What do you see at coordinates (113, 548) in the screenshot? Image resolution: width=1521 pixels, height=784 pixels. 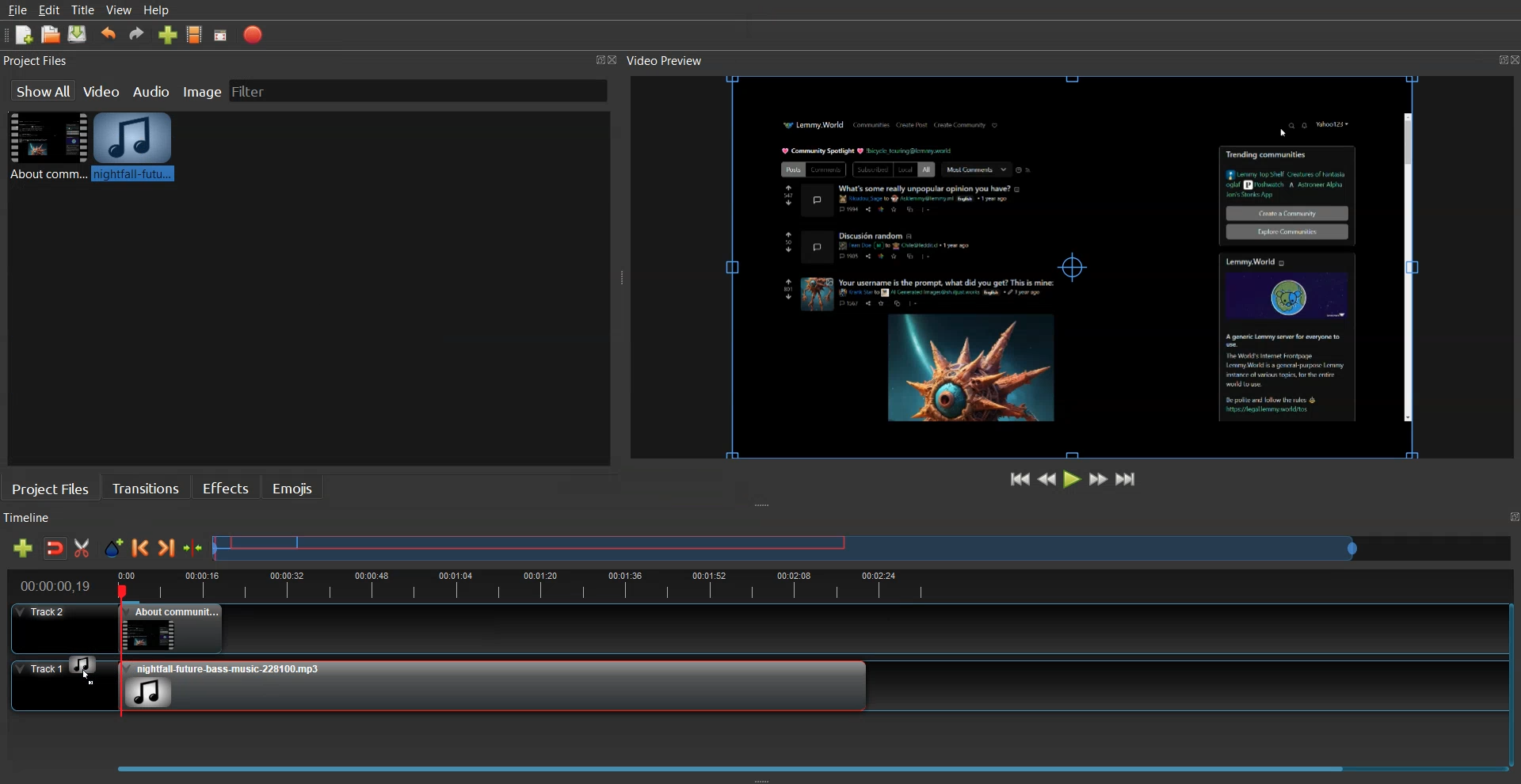 I see `Add Marker` at bounding box center [113, 548].